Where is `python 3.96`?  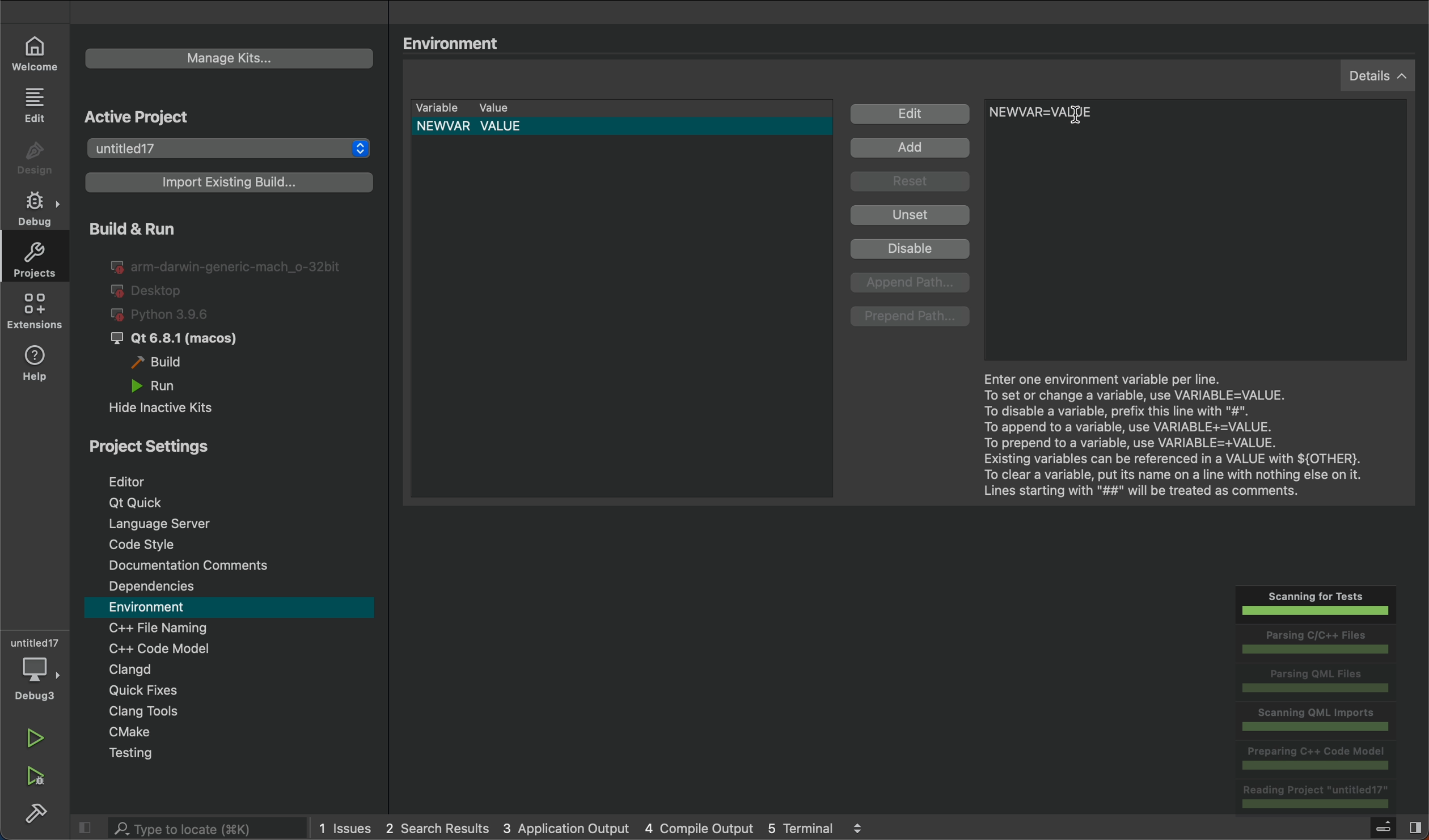 python 3.96 is located at coordinates (175, 315).